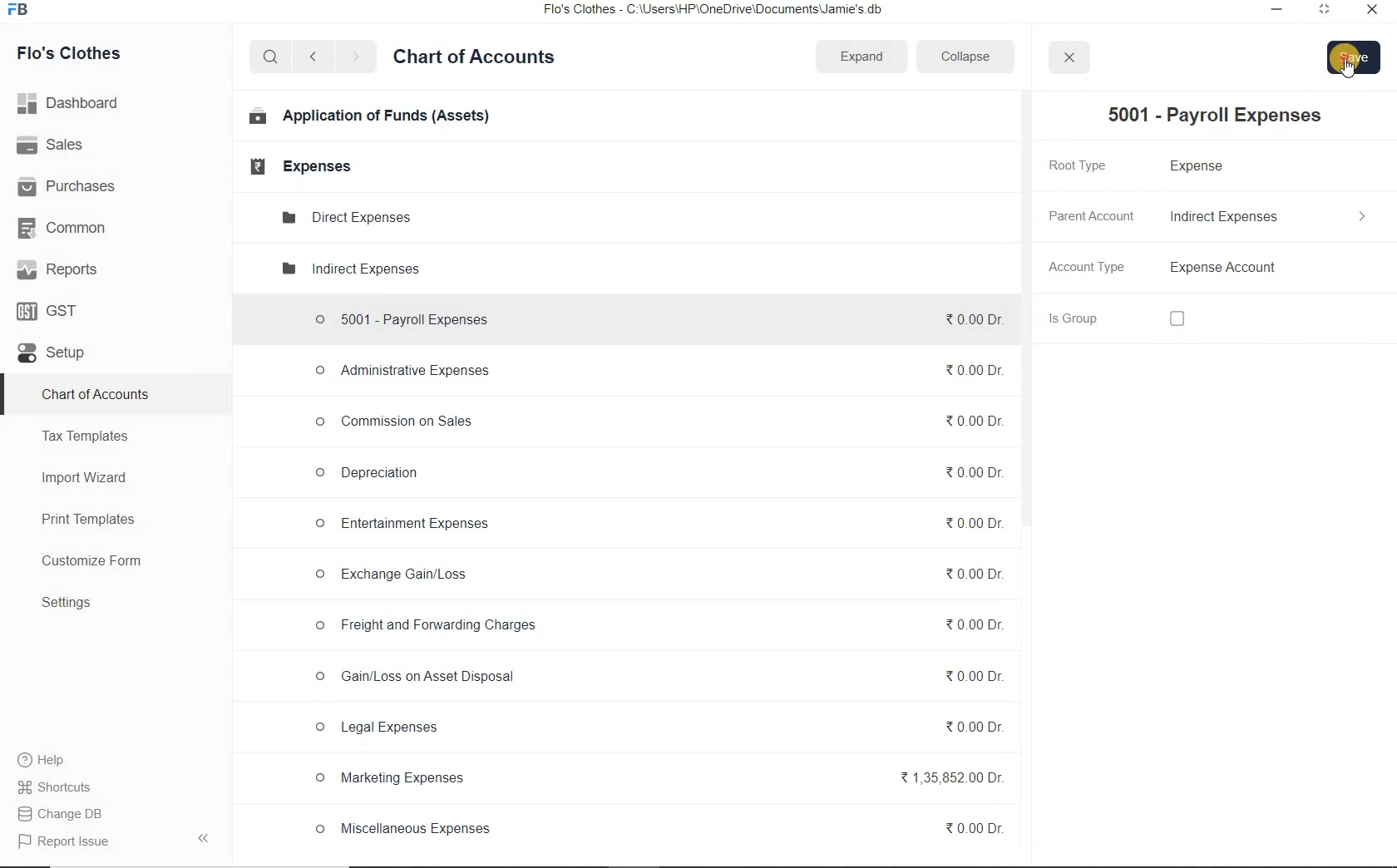  I want to click on next, so click(355, 58).